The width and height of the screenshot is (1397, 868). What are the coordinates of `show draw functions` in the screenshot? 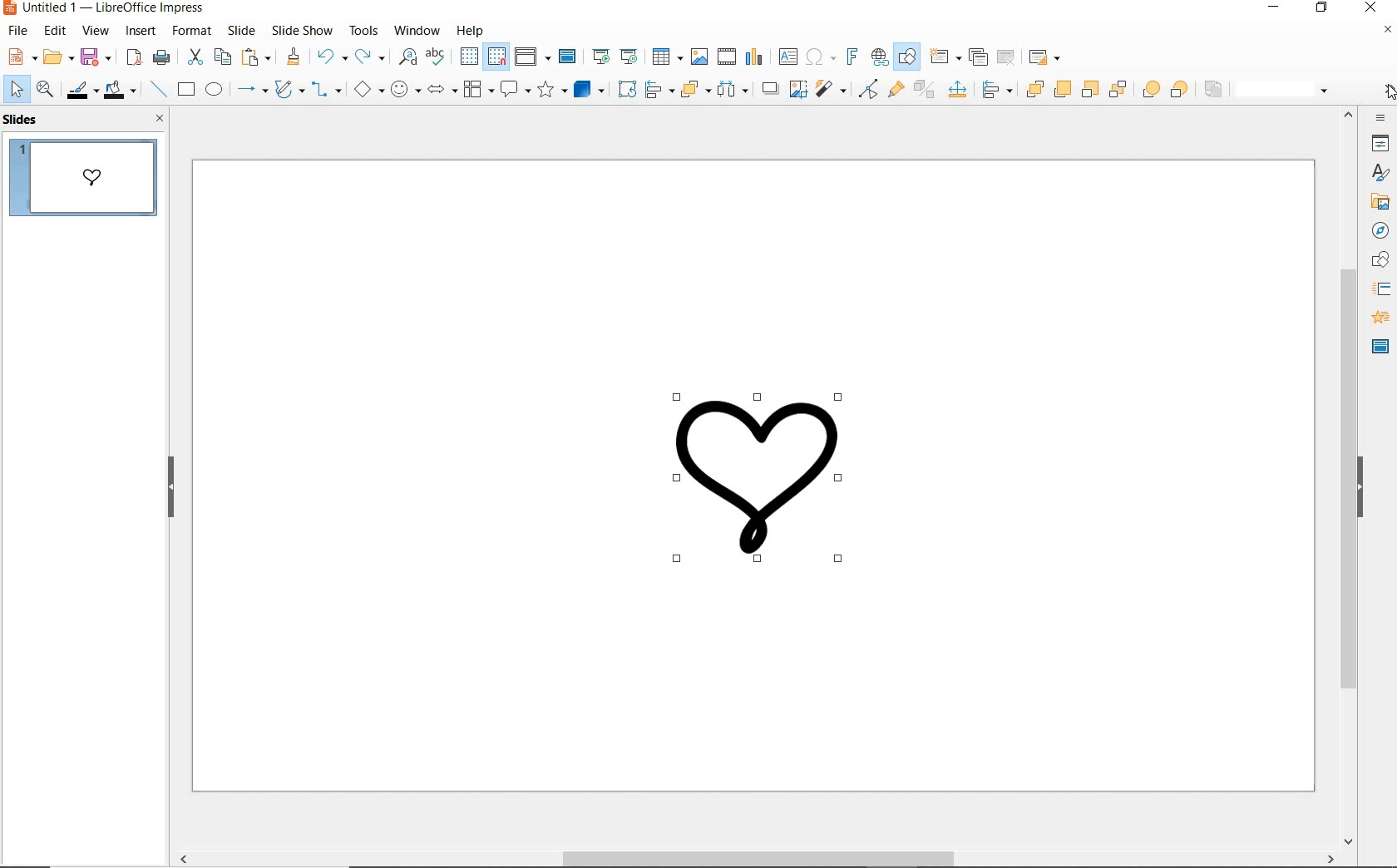 It's located at (906, 58).